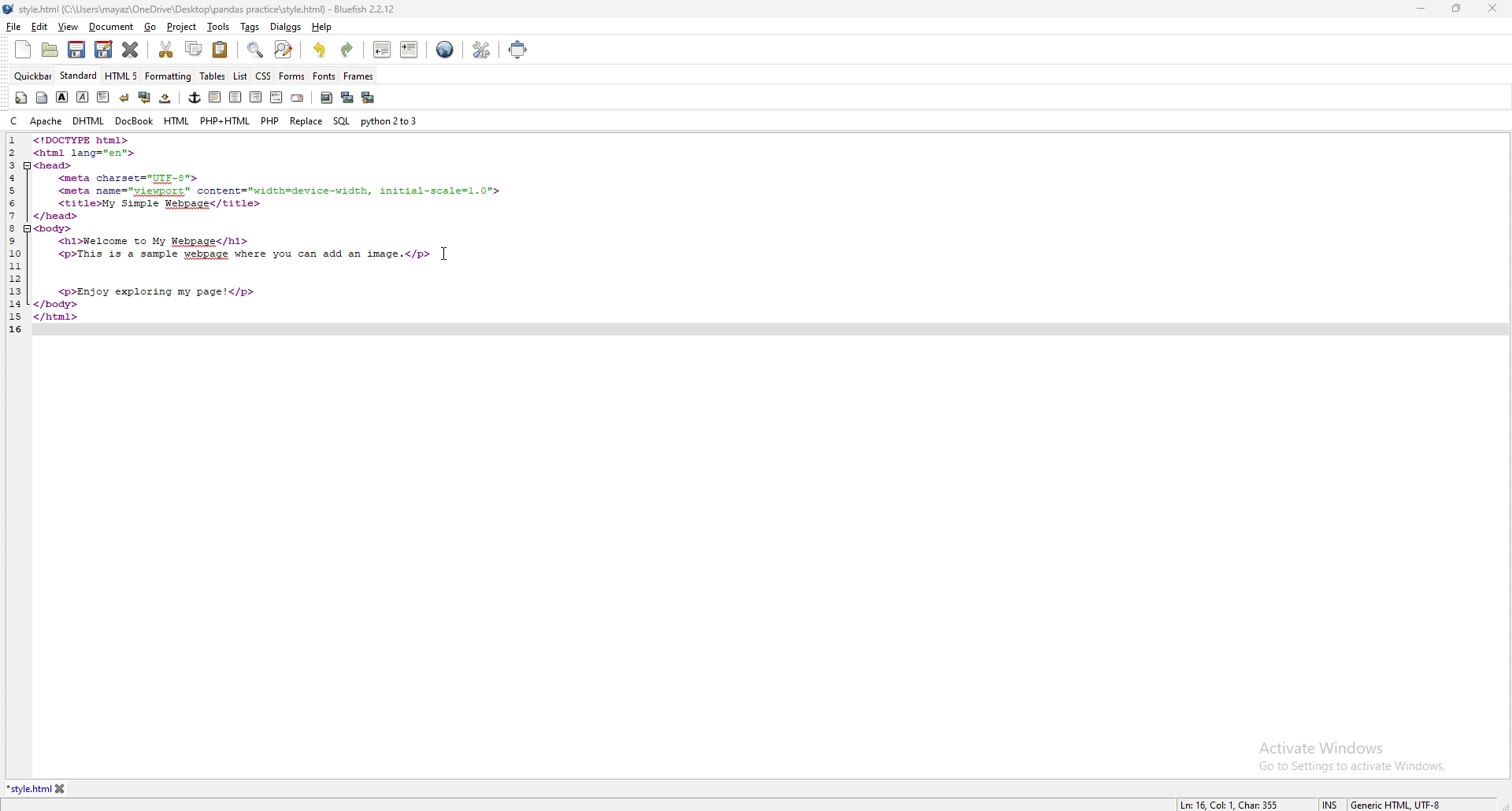 The width and height of the screenshot is (1512, 811). Describe the element at coordinates (447, 50) in the screenshot. I see `web preview` at that location.